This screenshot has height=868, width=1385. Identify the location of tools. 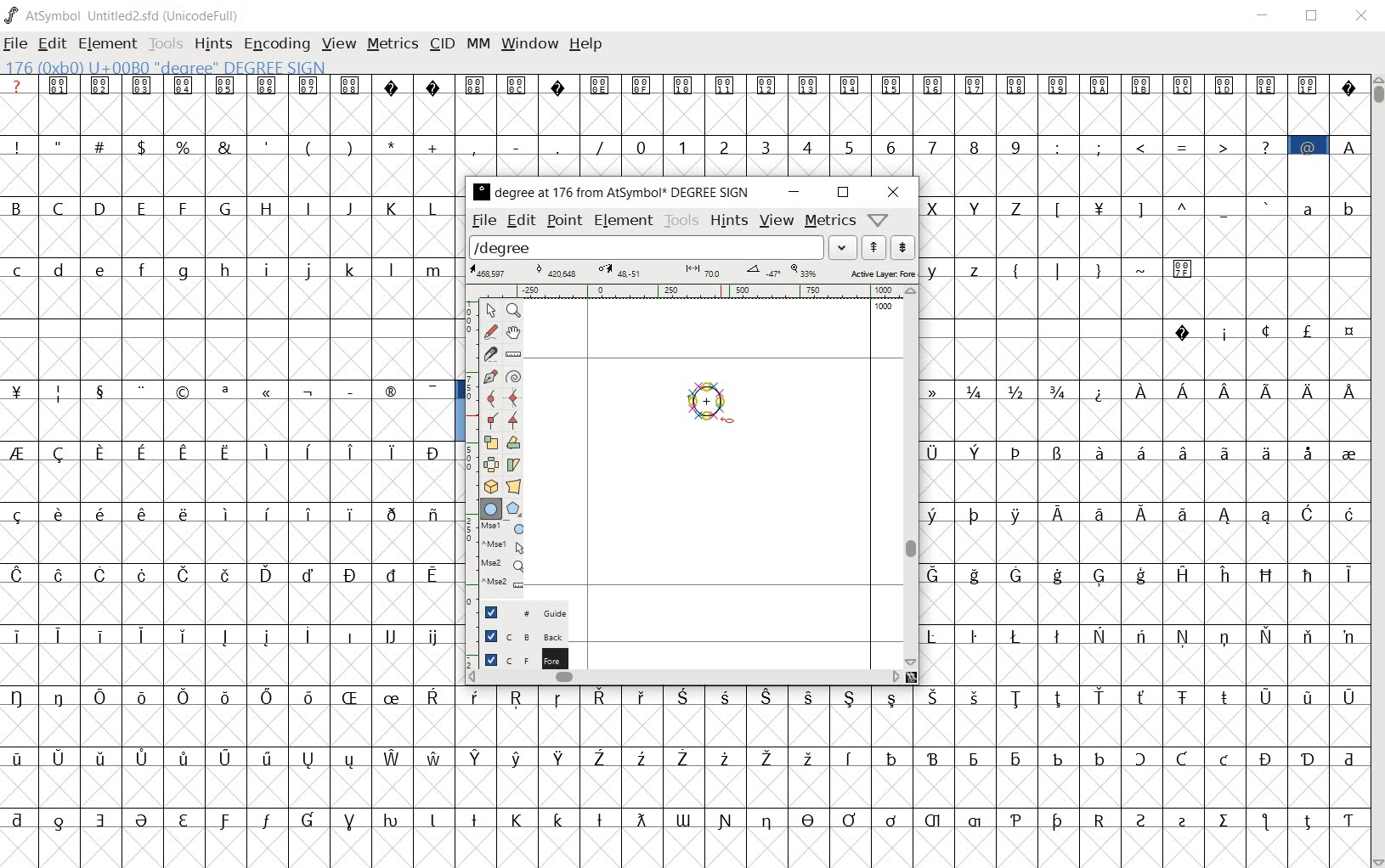
(166, 43).